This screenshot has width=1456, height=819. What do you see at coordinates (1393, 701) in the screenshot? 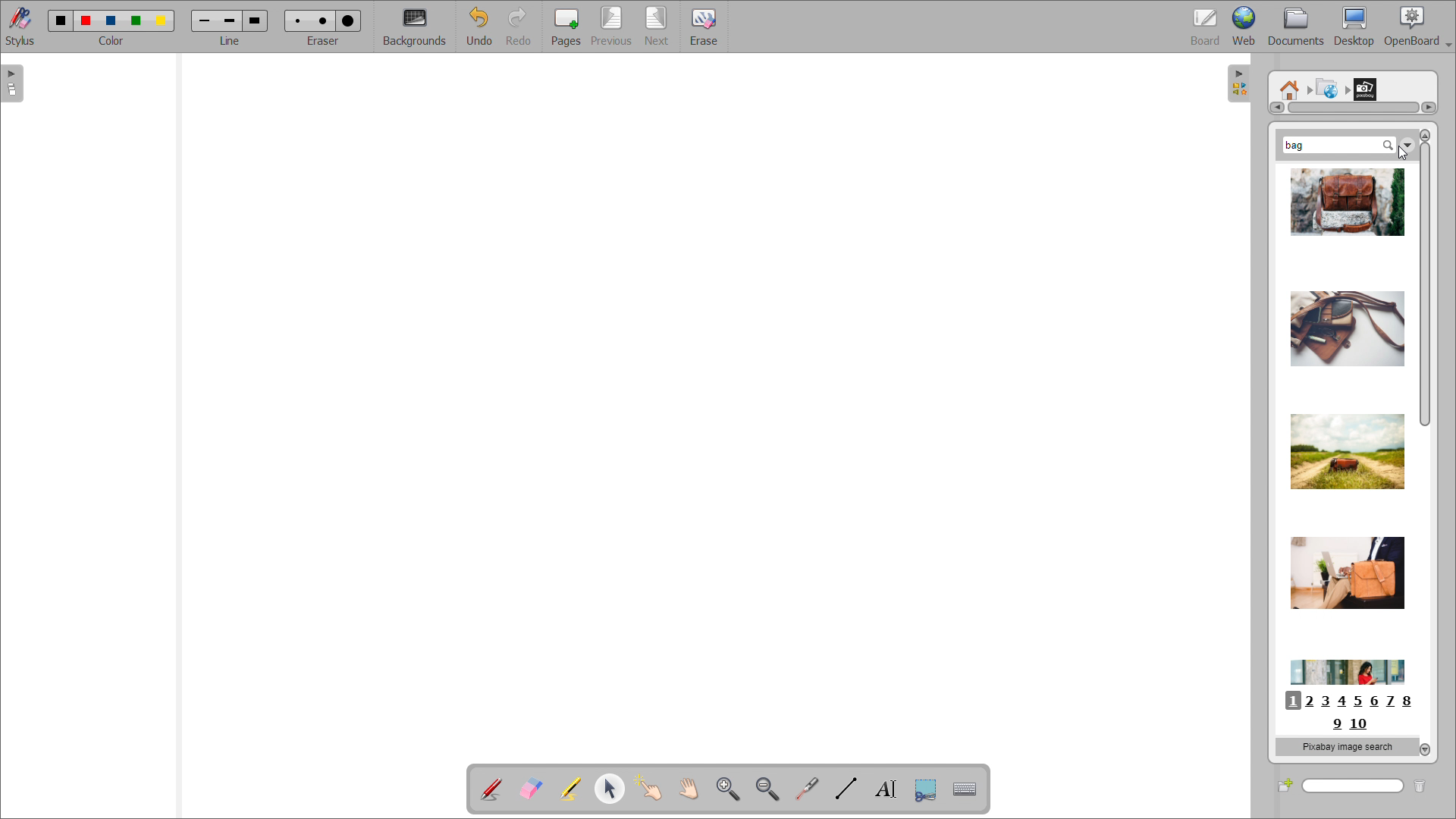
I see `7` at bounding box center [1393, 701].